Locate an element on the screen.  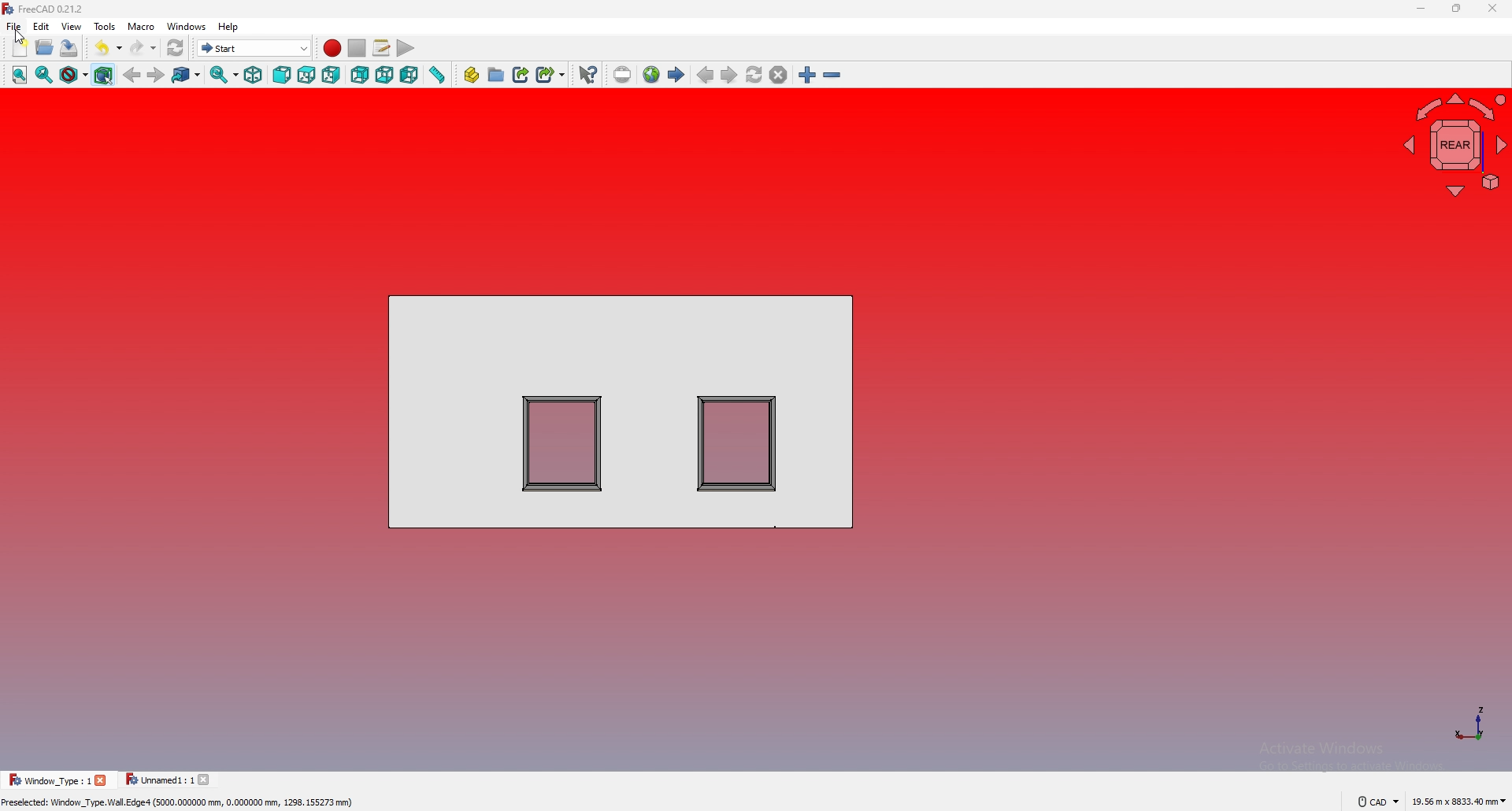
switch between workbenches is located at coordinates (254, 48).